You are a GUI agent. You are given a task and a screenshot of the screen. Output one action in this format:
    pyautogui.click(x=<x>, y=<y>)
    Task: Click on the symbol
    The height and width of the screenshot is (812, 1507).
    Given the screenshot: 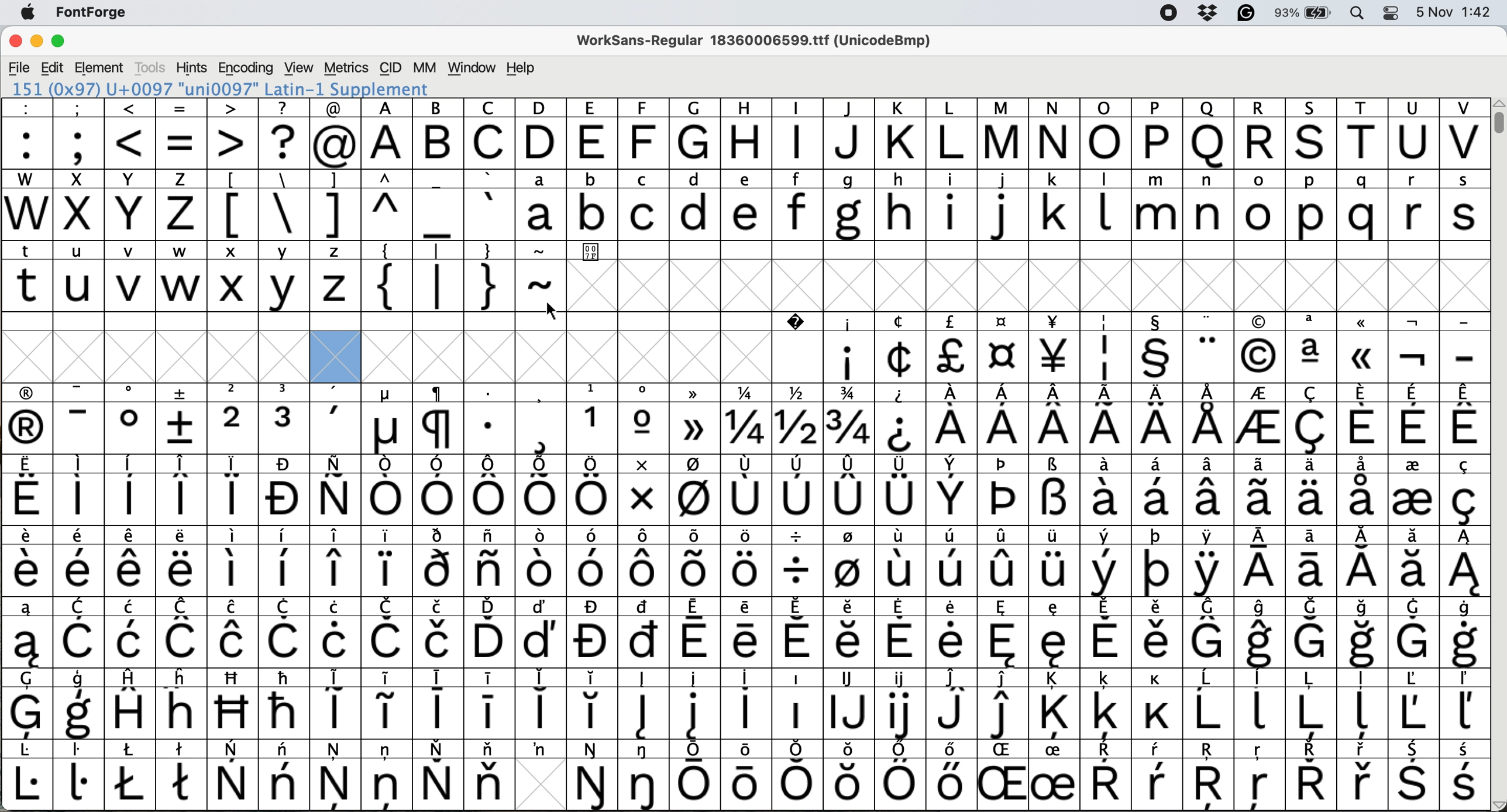 What is the action you would take?
    pyautogui.click(x=593, y=776)
    